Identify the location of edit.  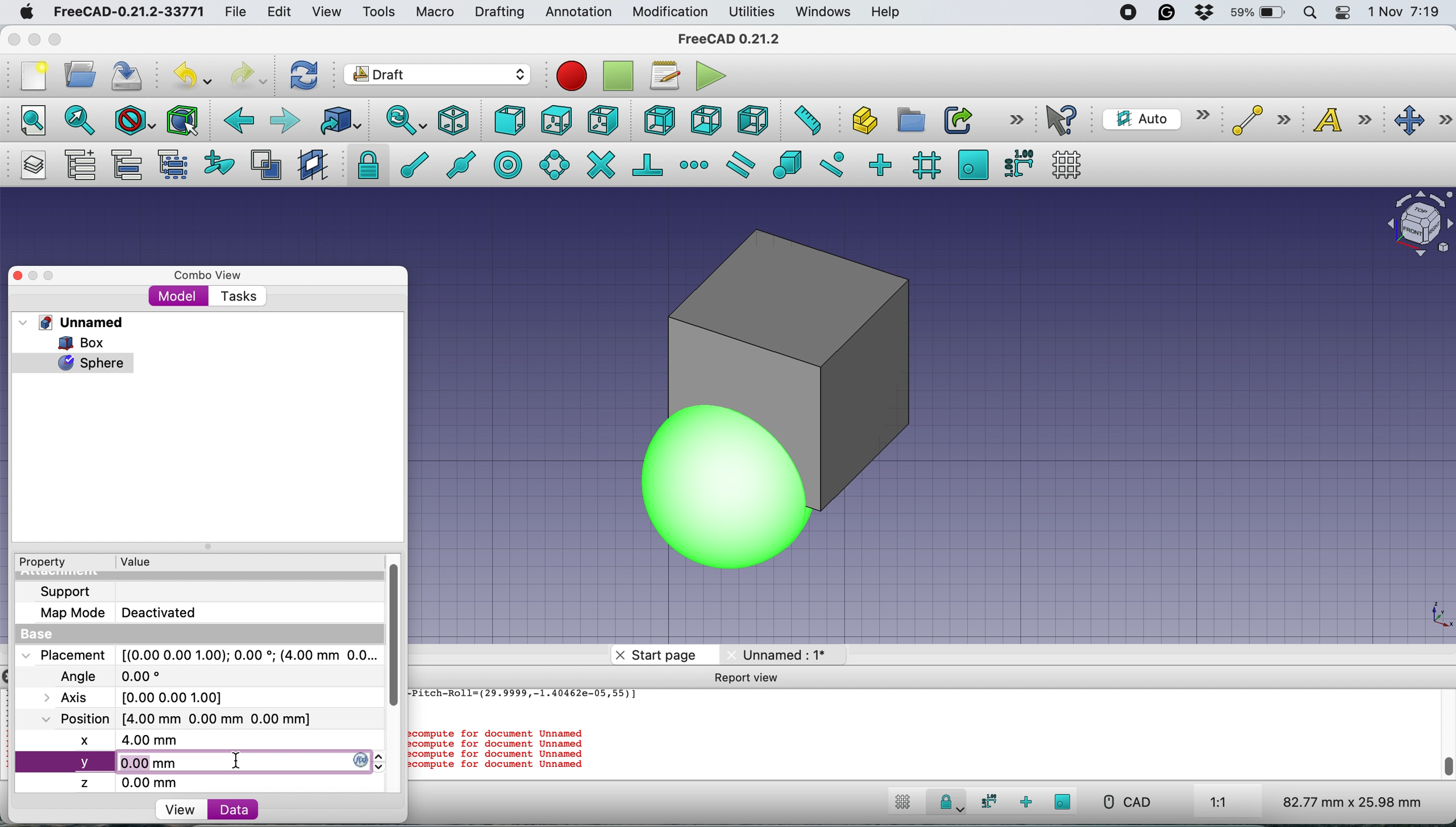
(281, 13).